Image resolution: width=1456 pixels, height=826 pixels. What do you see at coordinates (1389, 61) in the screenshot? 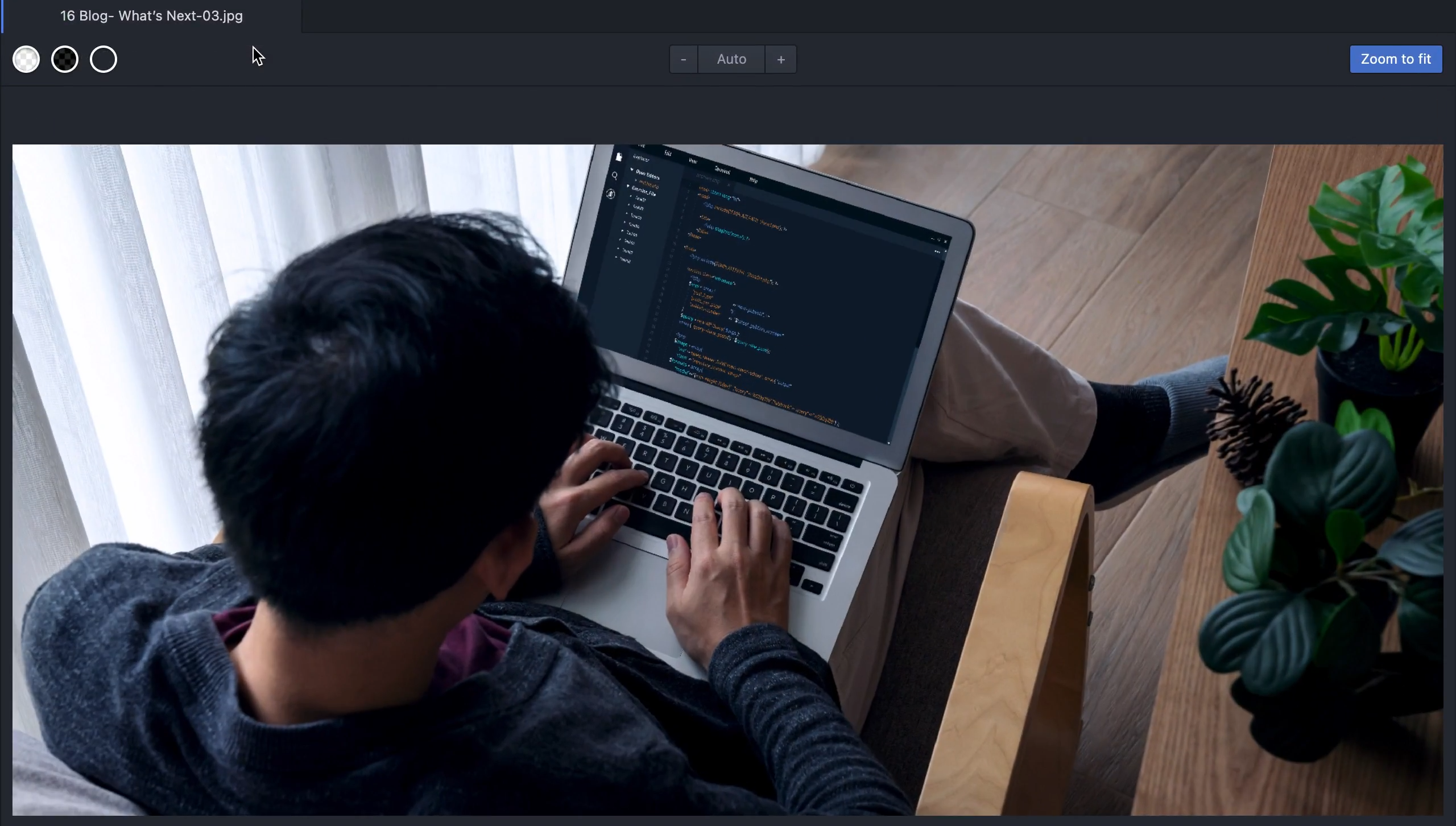
I see `zoom to fit` at bounding box center [1389, 61].